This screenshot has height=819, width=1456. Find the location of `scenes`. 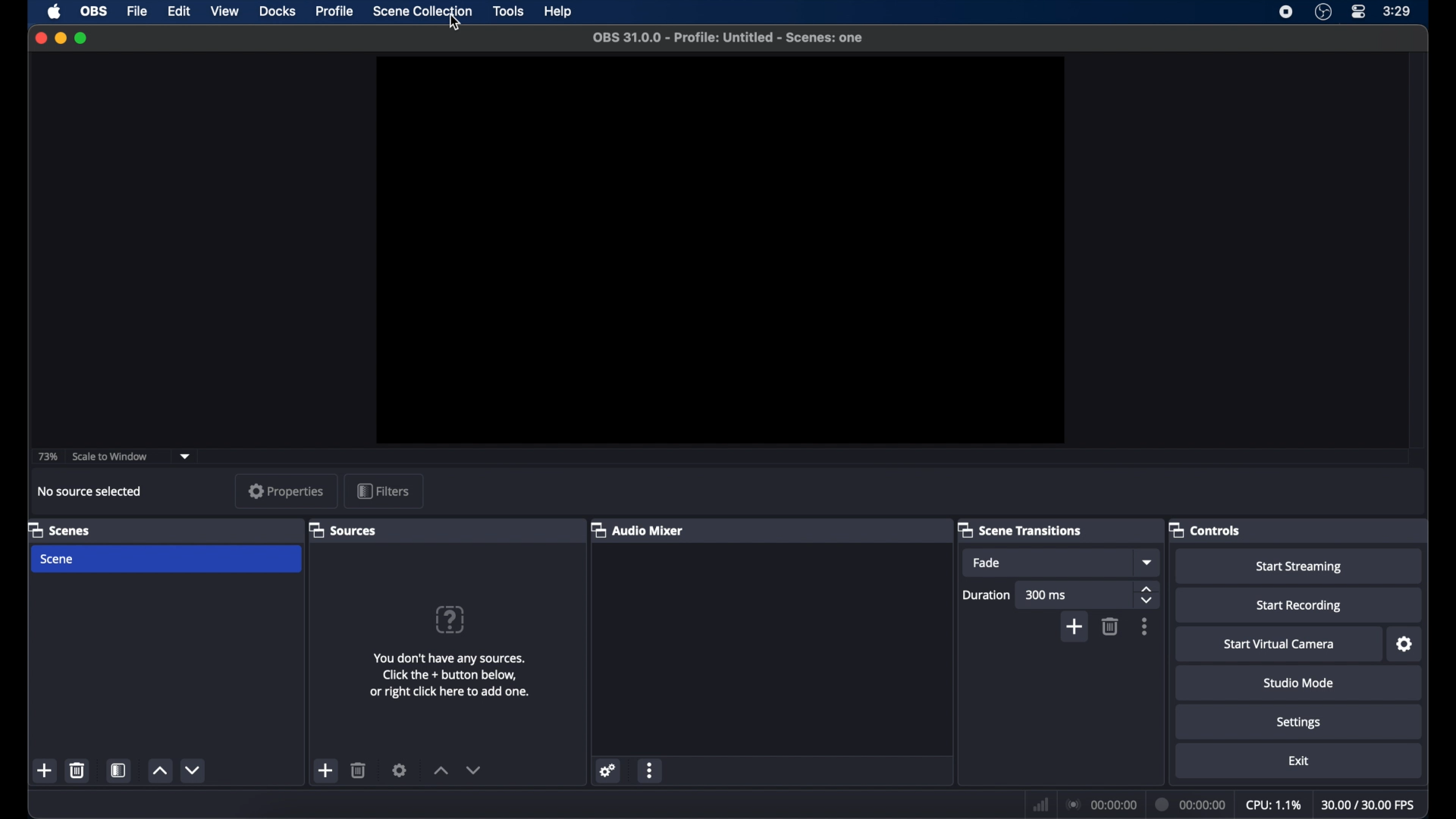

scenes is located at coordinates (60, 529).